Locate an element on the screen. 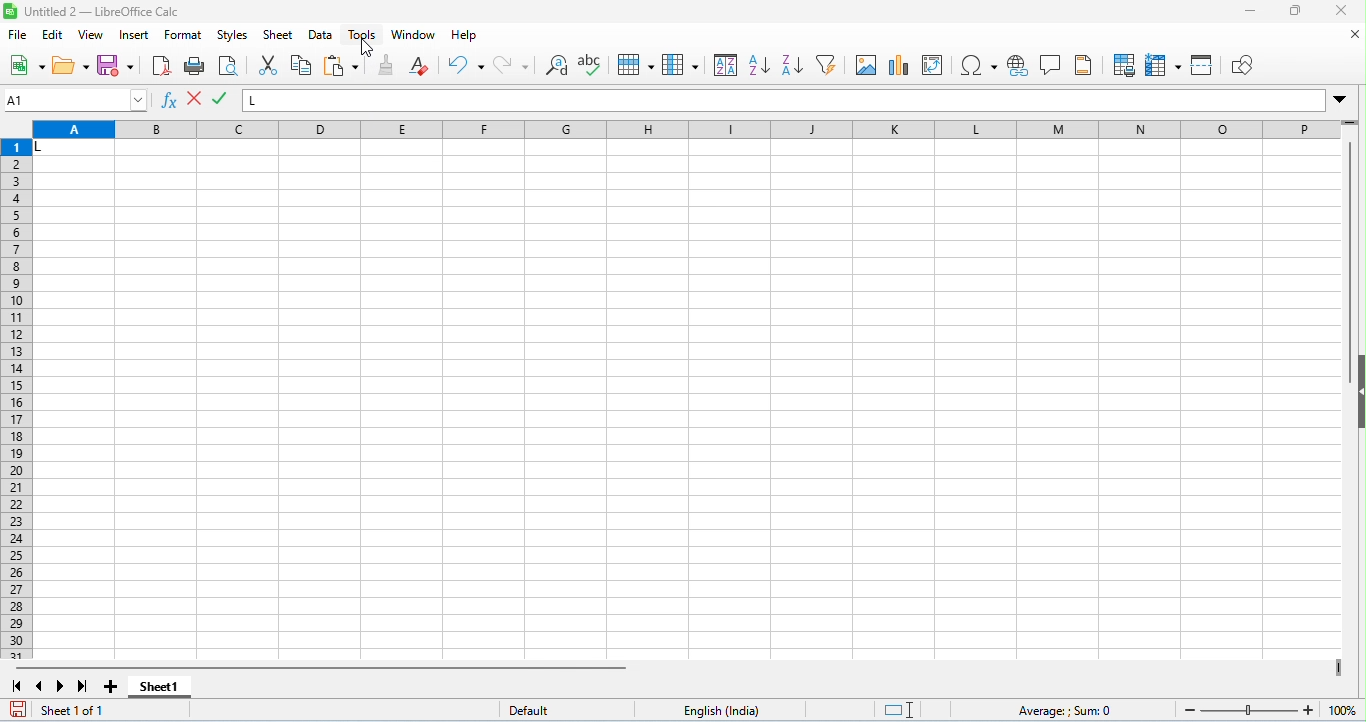 The height and width of the screenshot is (722, 1366). styles is located at coordinates (233, 36).